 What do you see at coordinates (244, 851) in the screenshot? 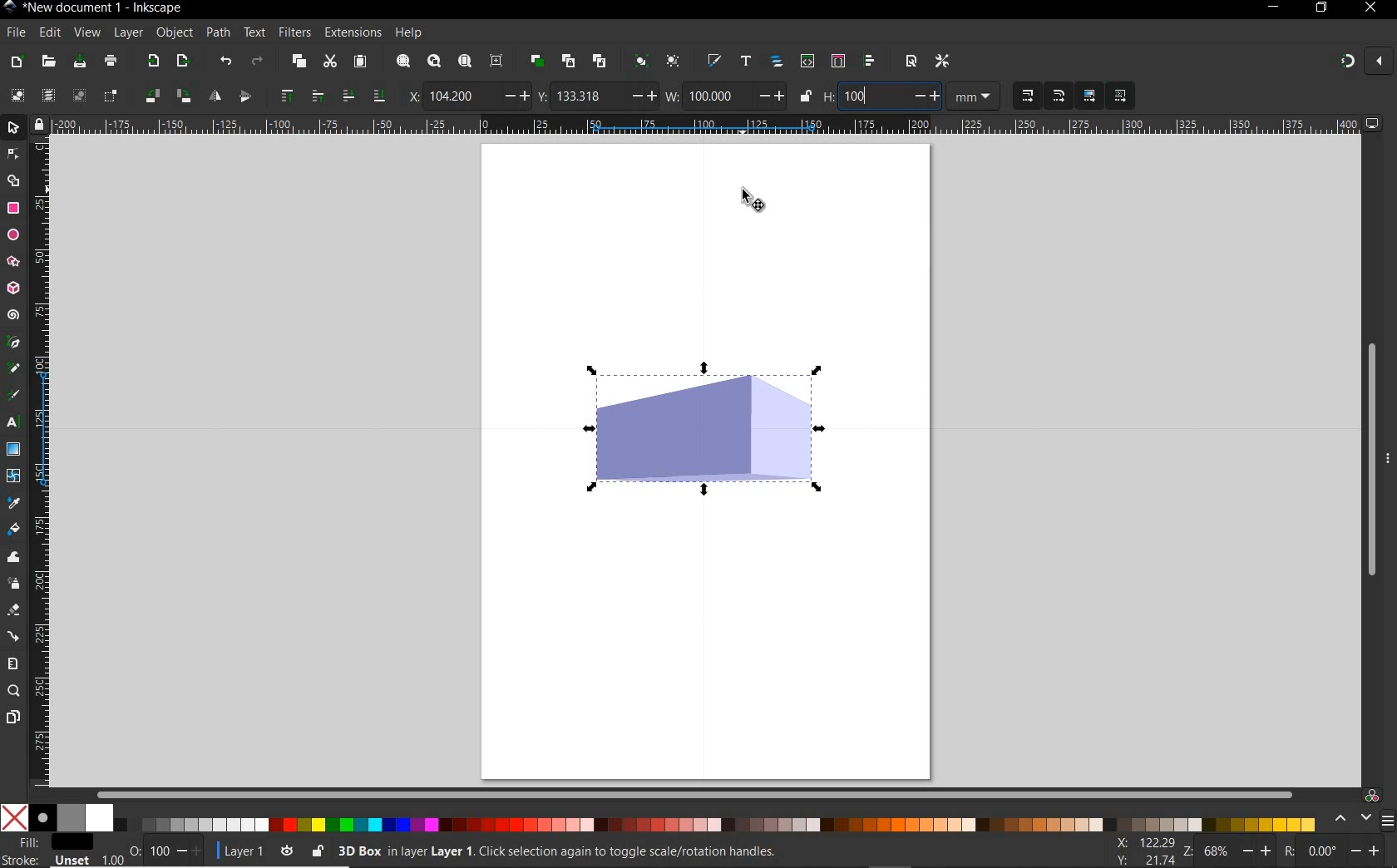
I see `current layer` at bounding box center [244, 851].